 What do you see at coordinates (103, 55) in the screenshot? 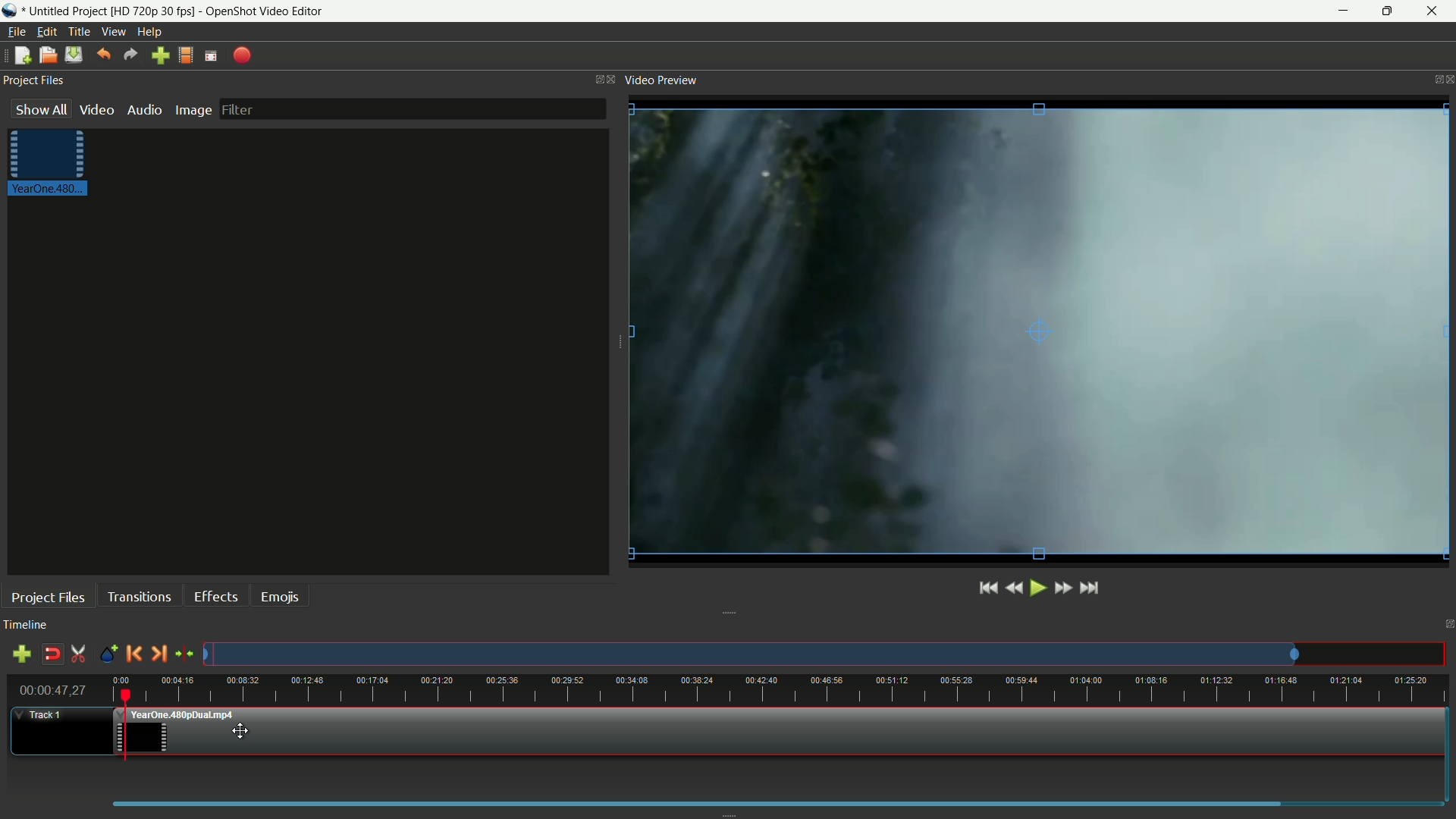
I see `undo` at bounding box center [103, 55].